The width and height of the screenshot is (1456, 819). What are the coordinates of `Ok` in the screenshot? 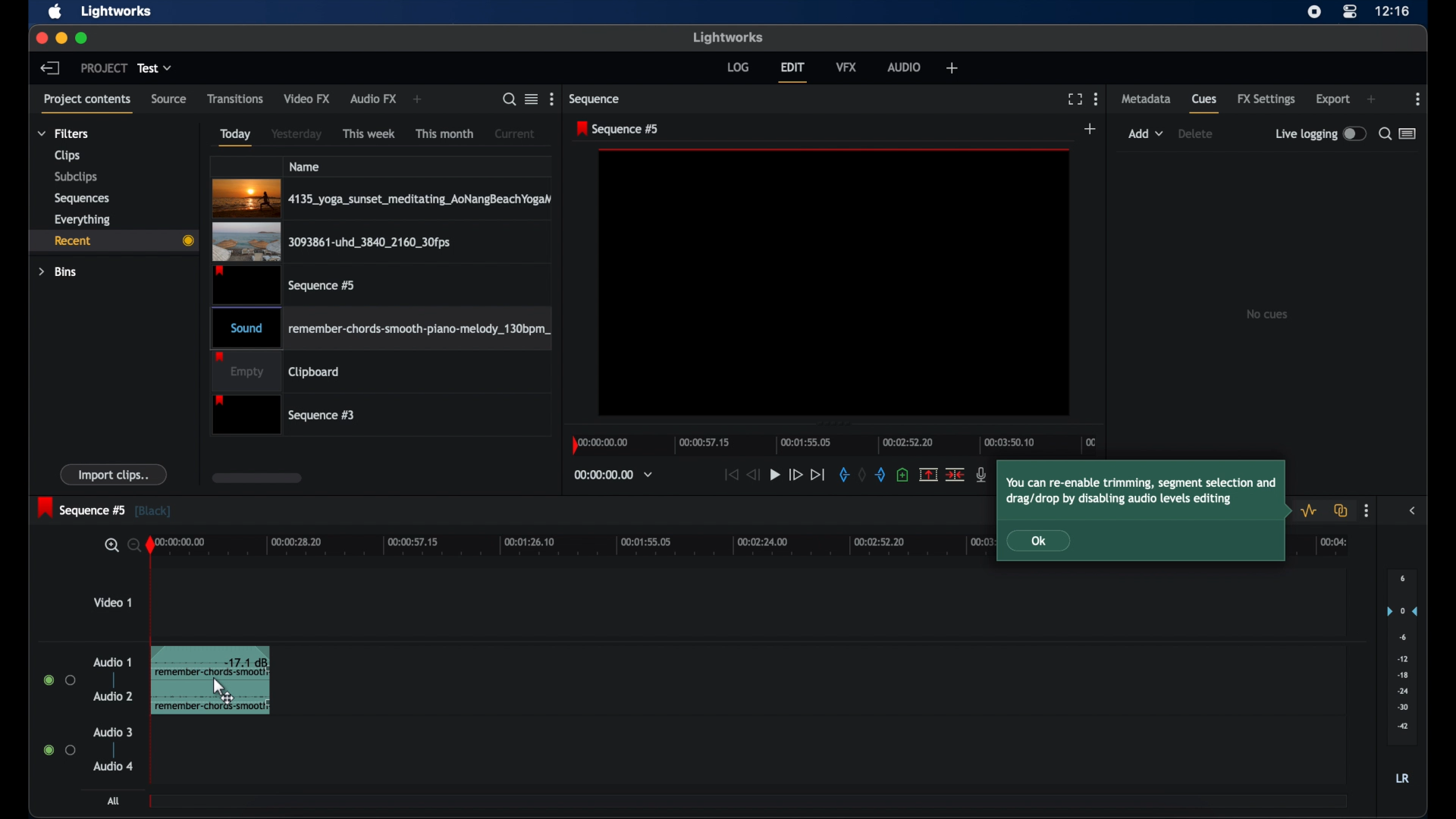 It's located at (1047, 541).